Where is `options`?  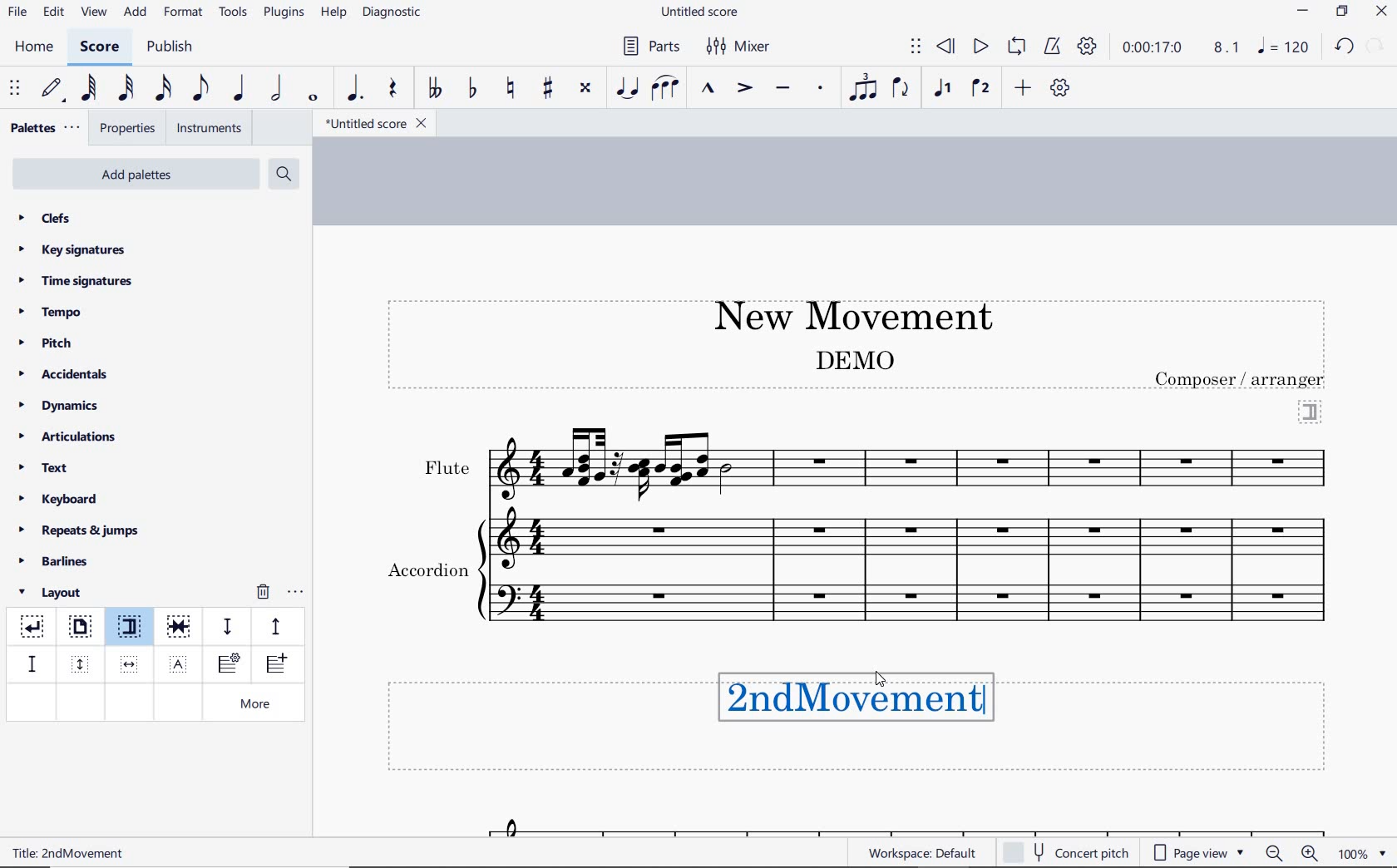
options is located at coordinates (295, 589).